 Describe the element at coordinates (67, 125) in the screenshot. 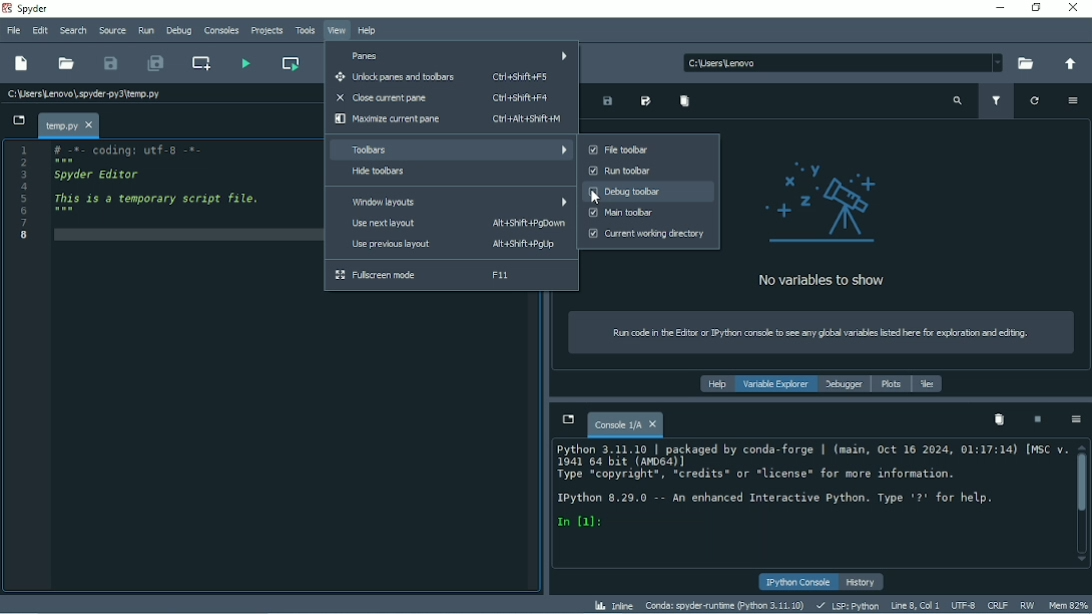

I see `File name` at that location.